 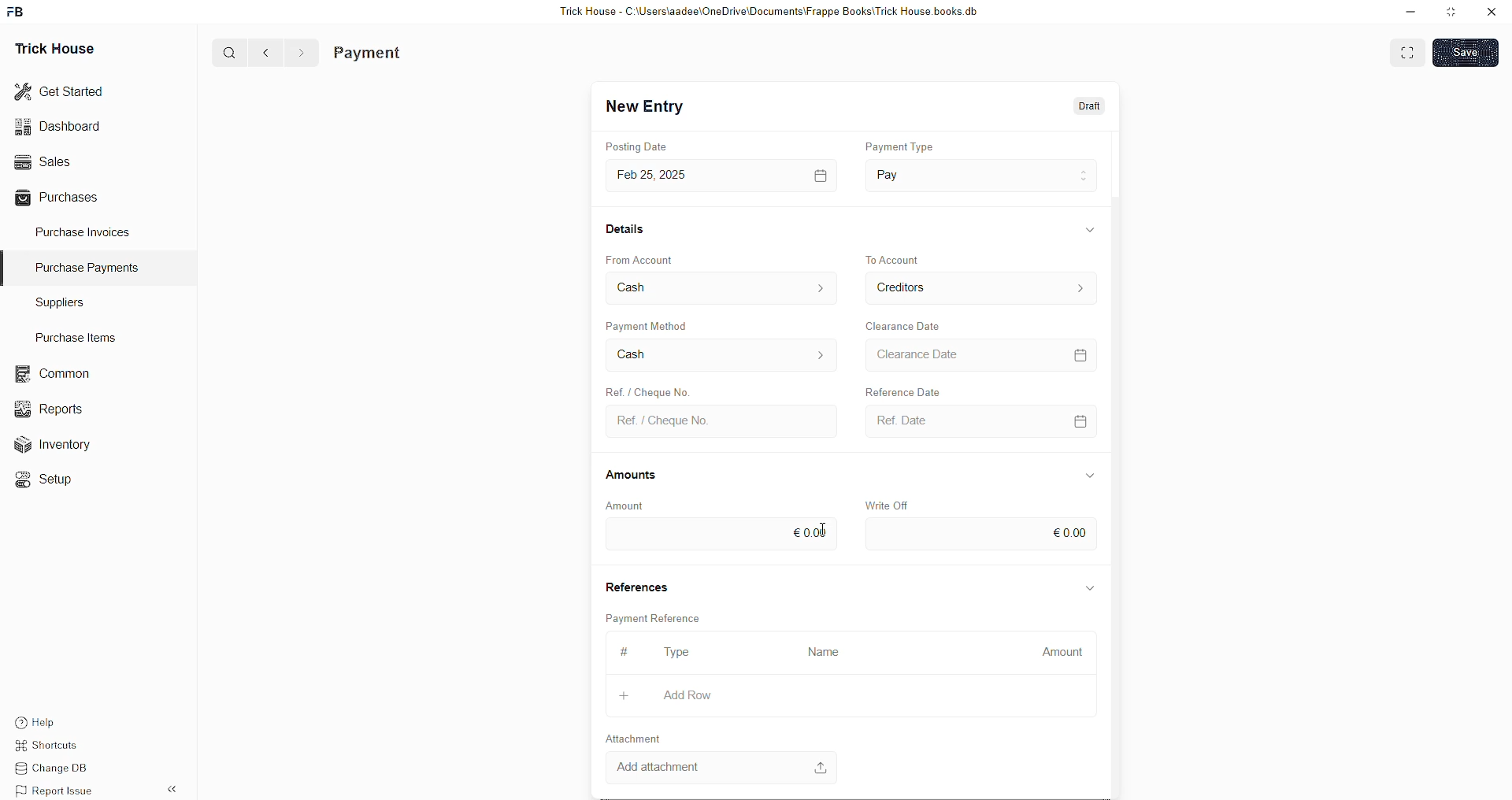 I want to click on Change DB, so click(x=60, y=769).